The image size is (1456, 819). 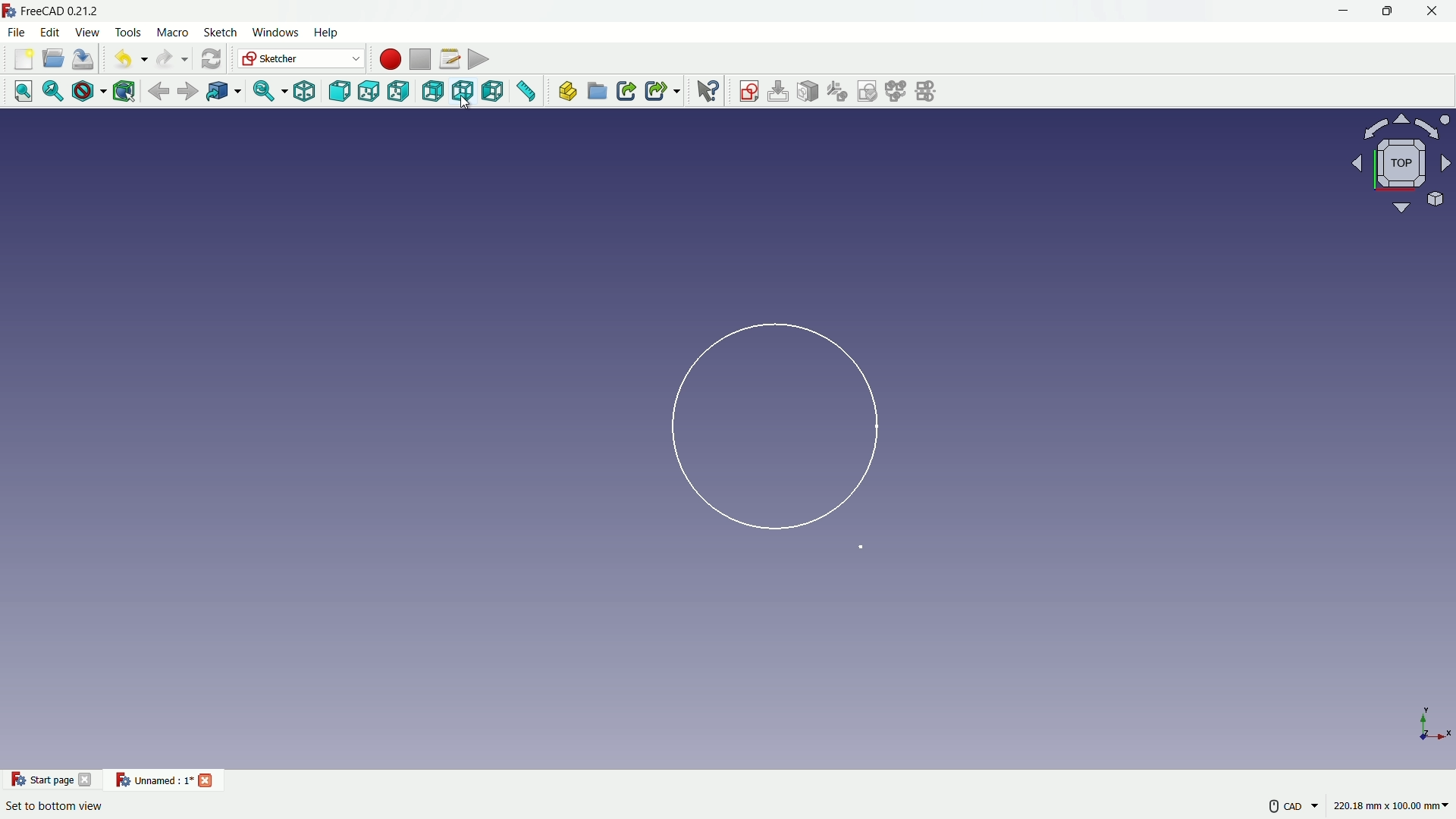 What do you see at coordinates (24, 93) in the screenshot?
I see `fit all` at bounding box center [24, 93].